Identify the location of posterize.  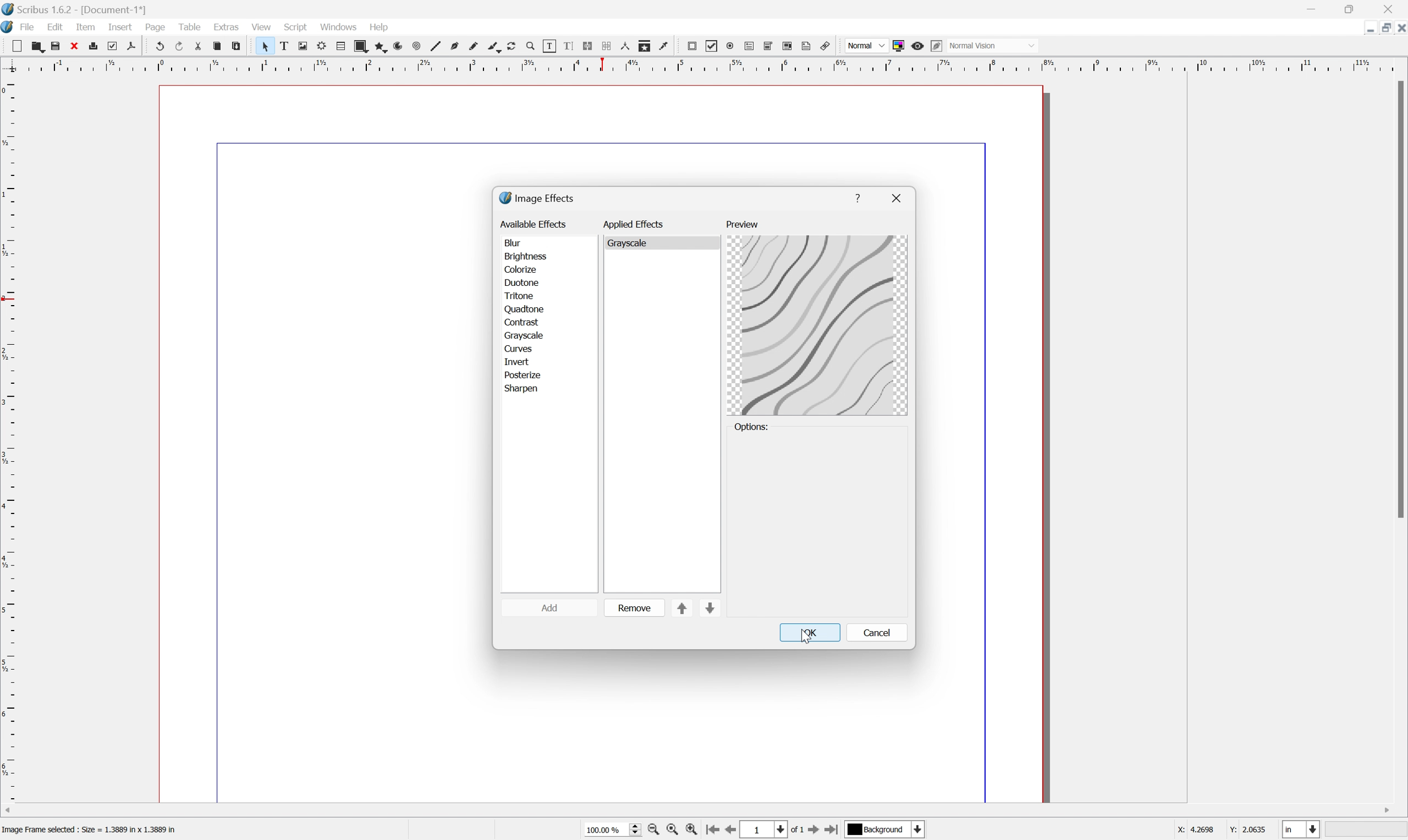
(521, 375).